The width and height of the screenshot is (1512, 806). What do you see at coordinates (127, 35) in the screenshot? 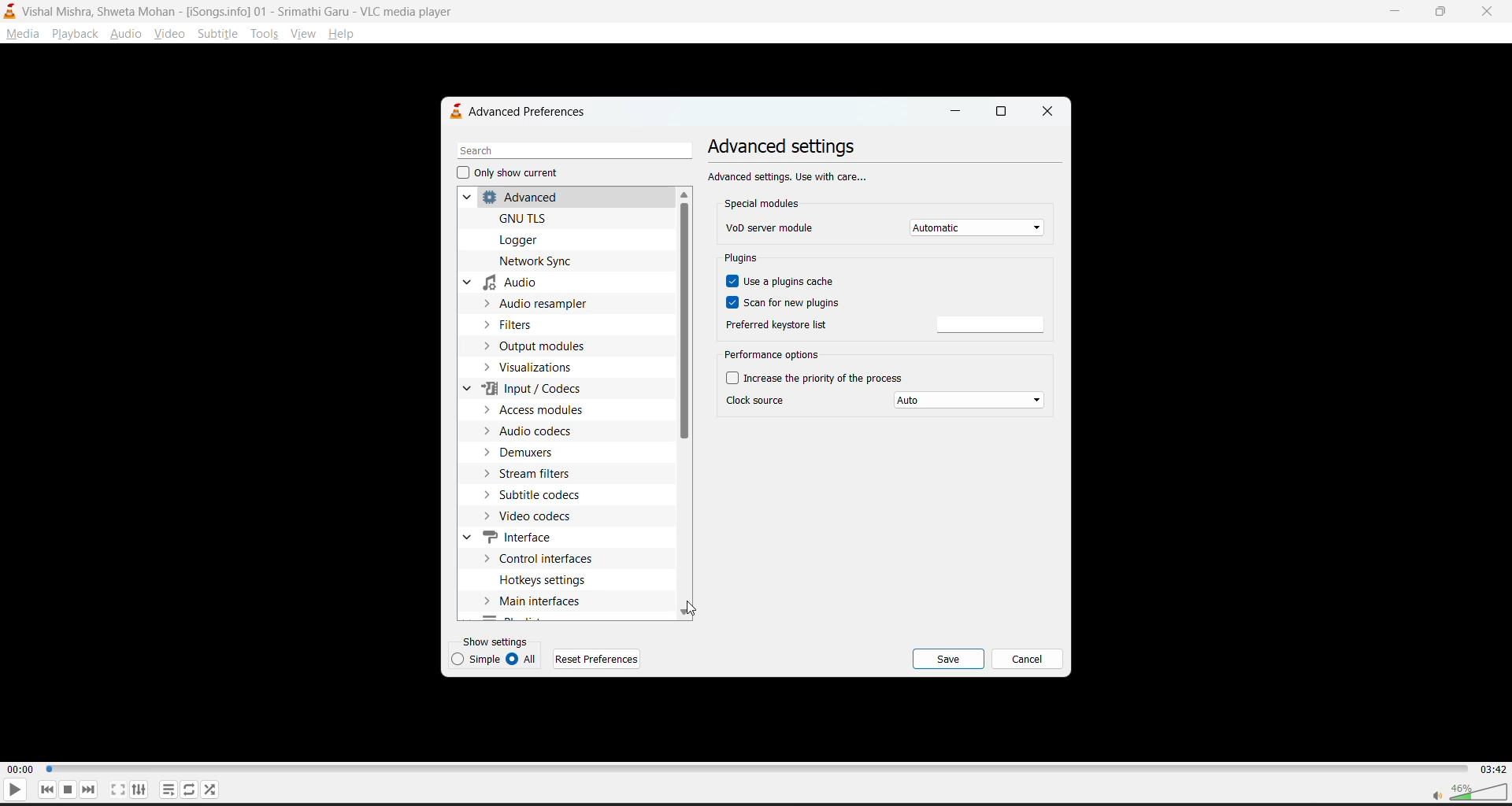
I see `audio` at bounding box center [127, 35].